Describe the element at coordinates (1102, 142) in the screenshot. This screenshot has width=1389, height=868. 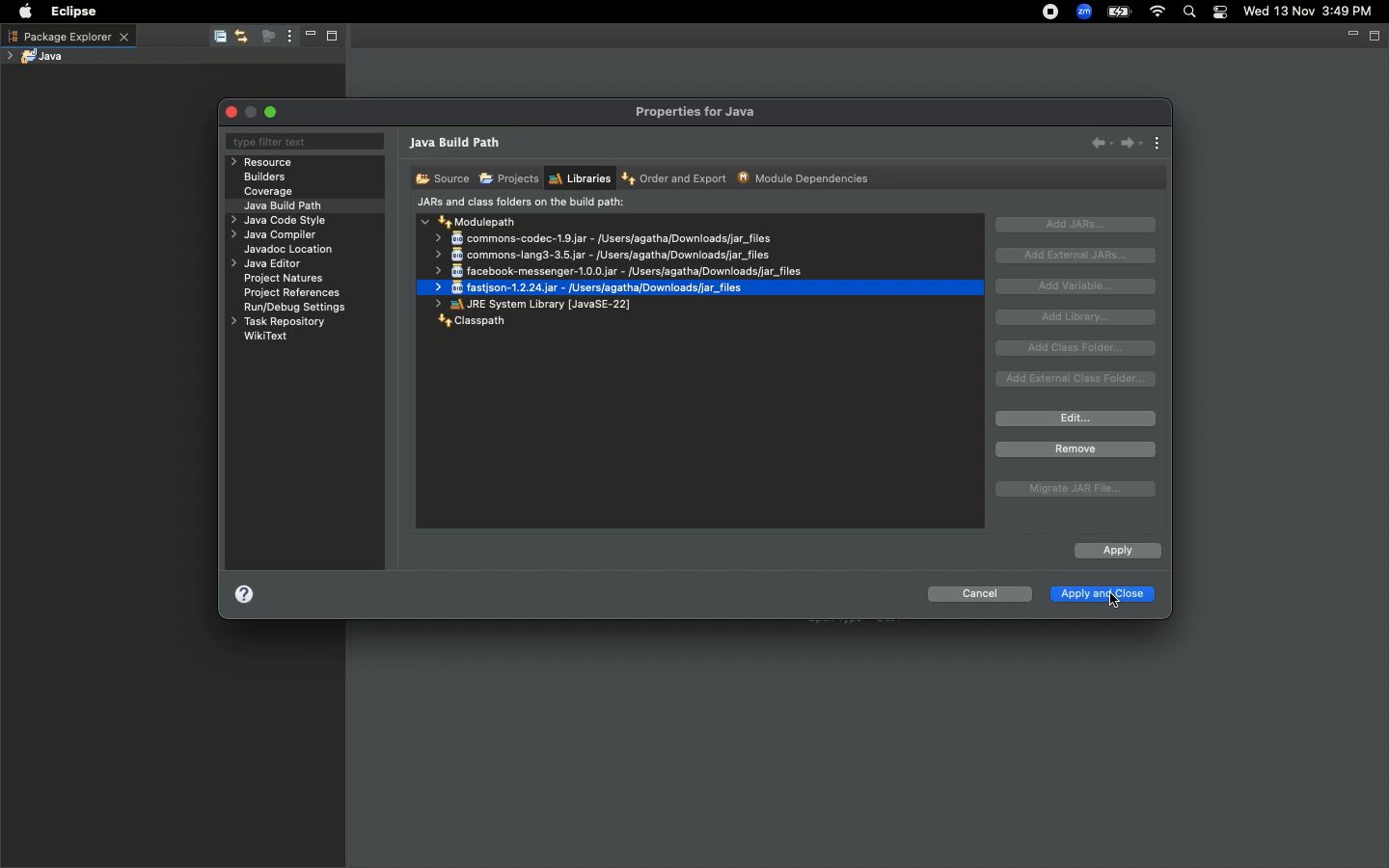
I see `Back` at that location.